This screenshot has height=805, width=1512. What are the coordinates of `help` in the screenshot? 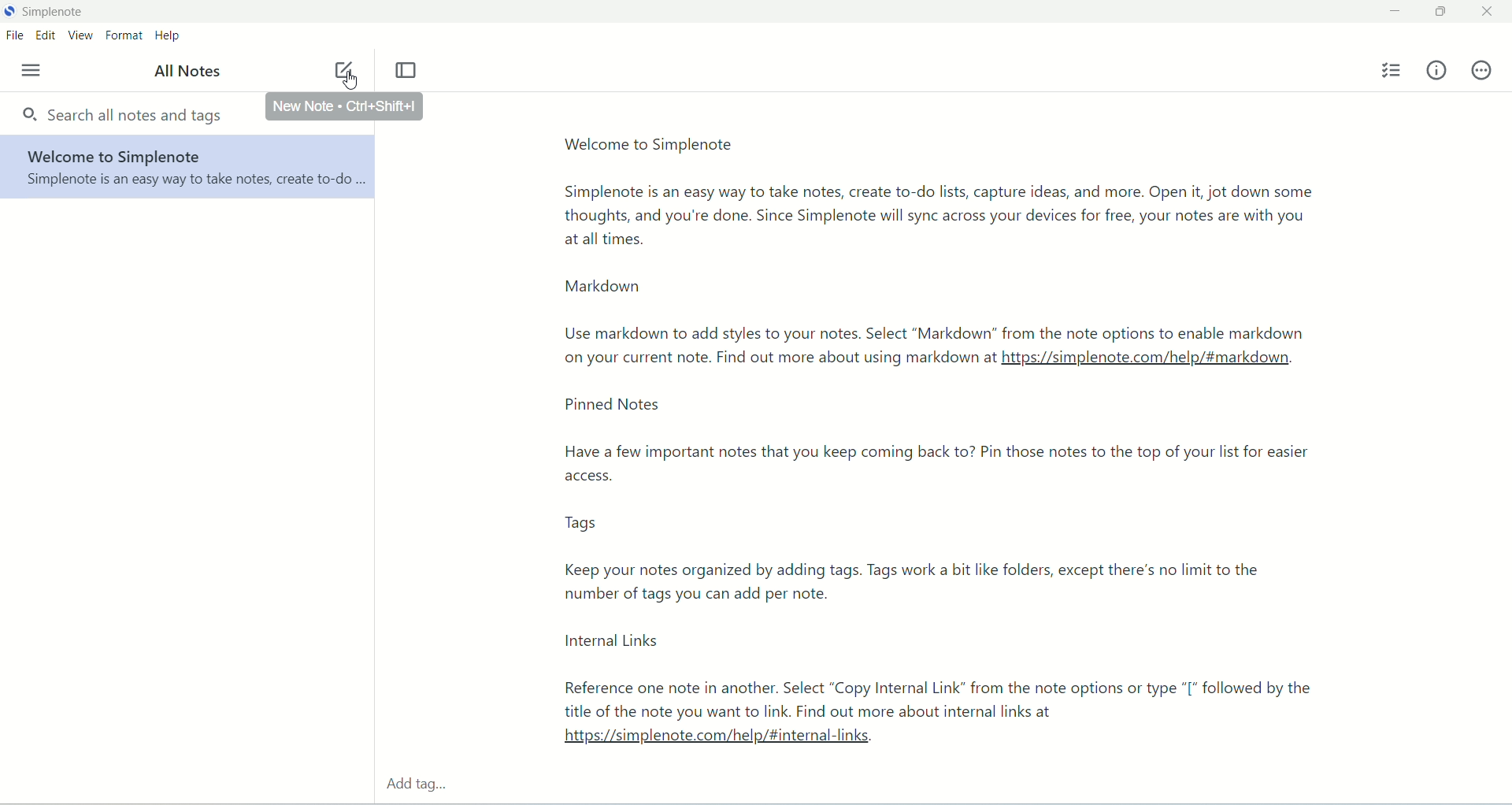 It's located at (171, 37).